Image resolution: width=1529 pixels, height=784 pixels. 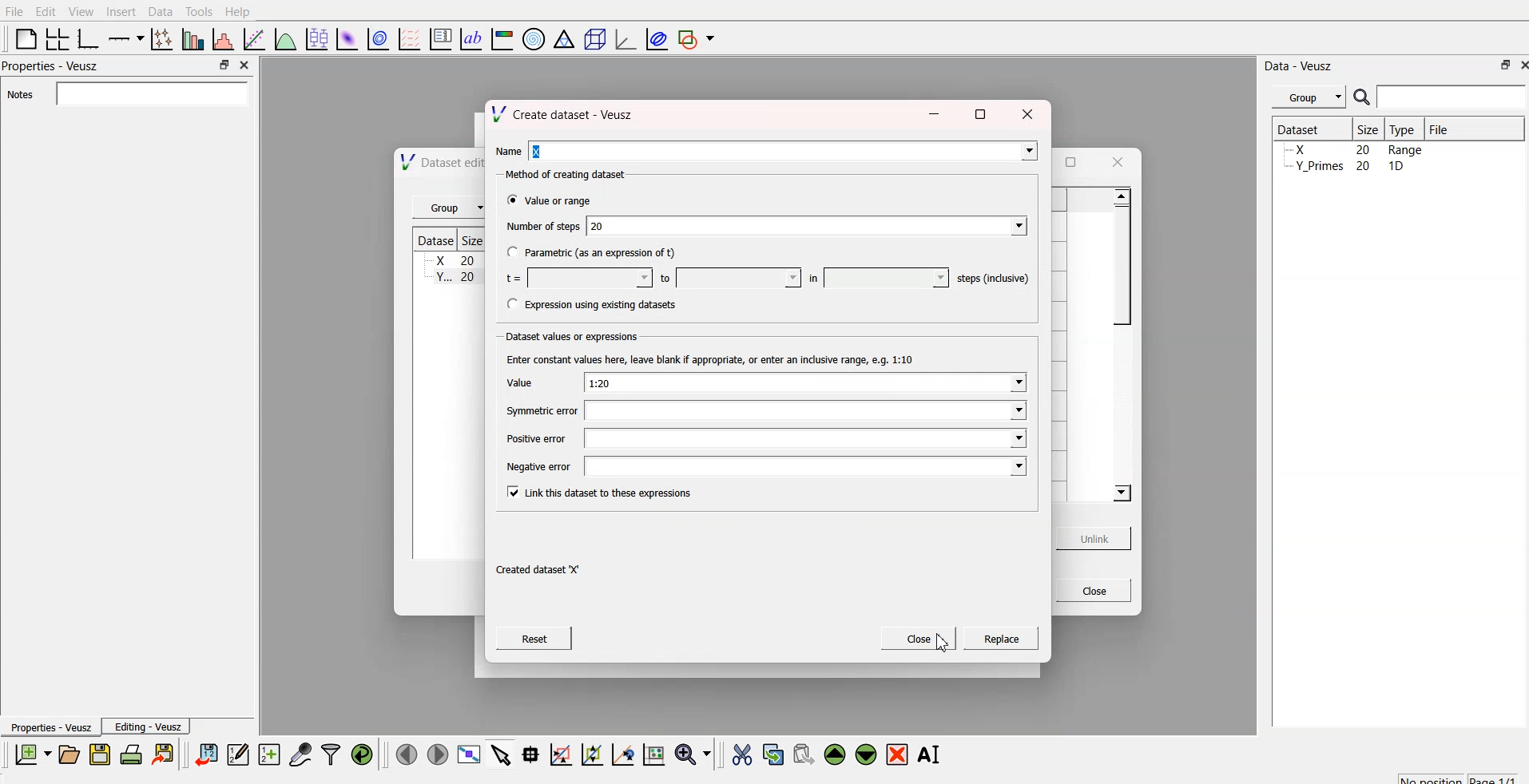 What do you see at coordinates (621, 754) in the screenshot?
I see `zoom out graph axes` at bounding box center [621, 754].